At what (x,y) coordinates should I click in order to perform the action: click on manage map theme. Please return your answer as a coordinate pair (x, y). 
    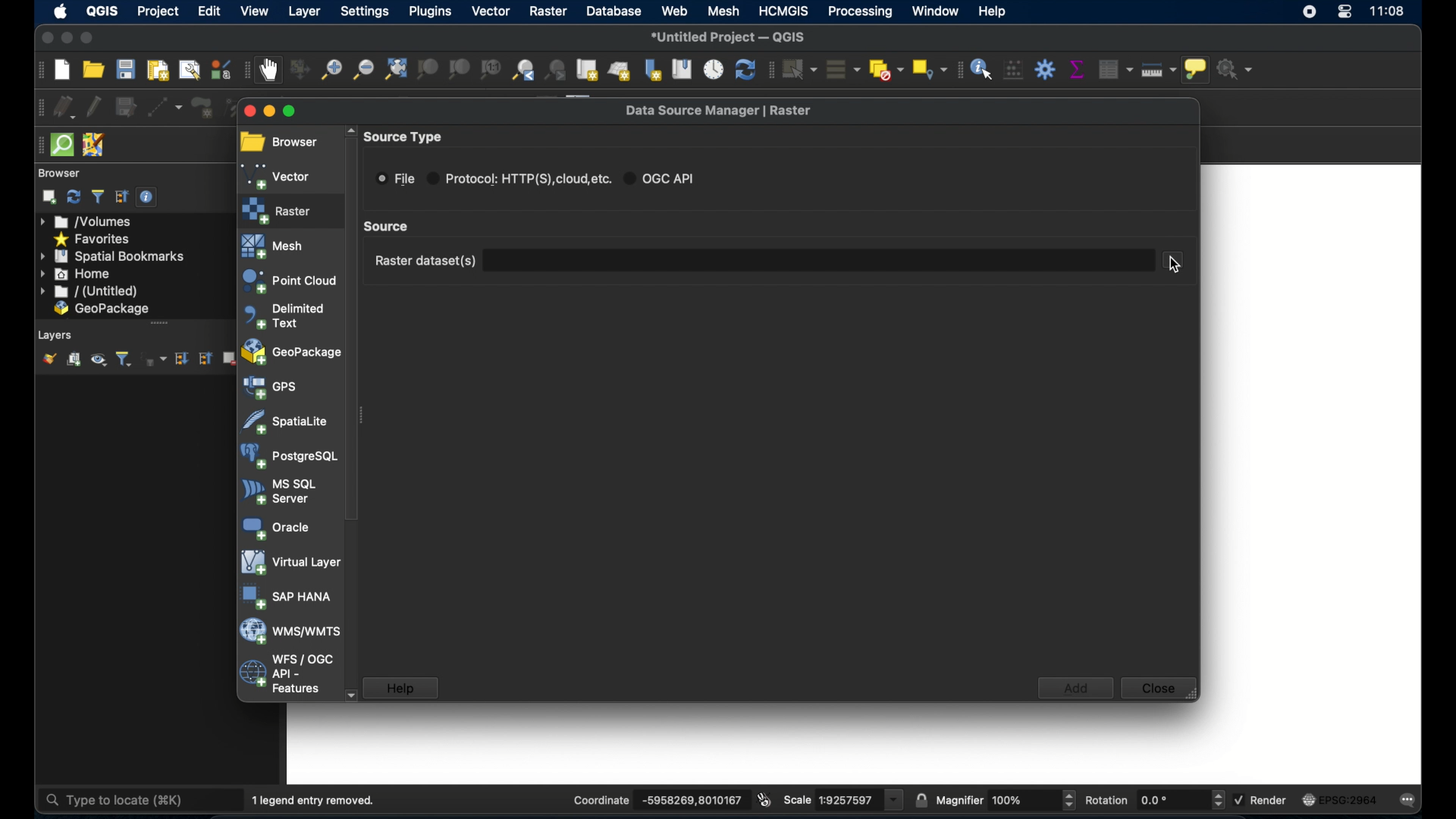
    Looking at the image, I should click on (99, 361).